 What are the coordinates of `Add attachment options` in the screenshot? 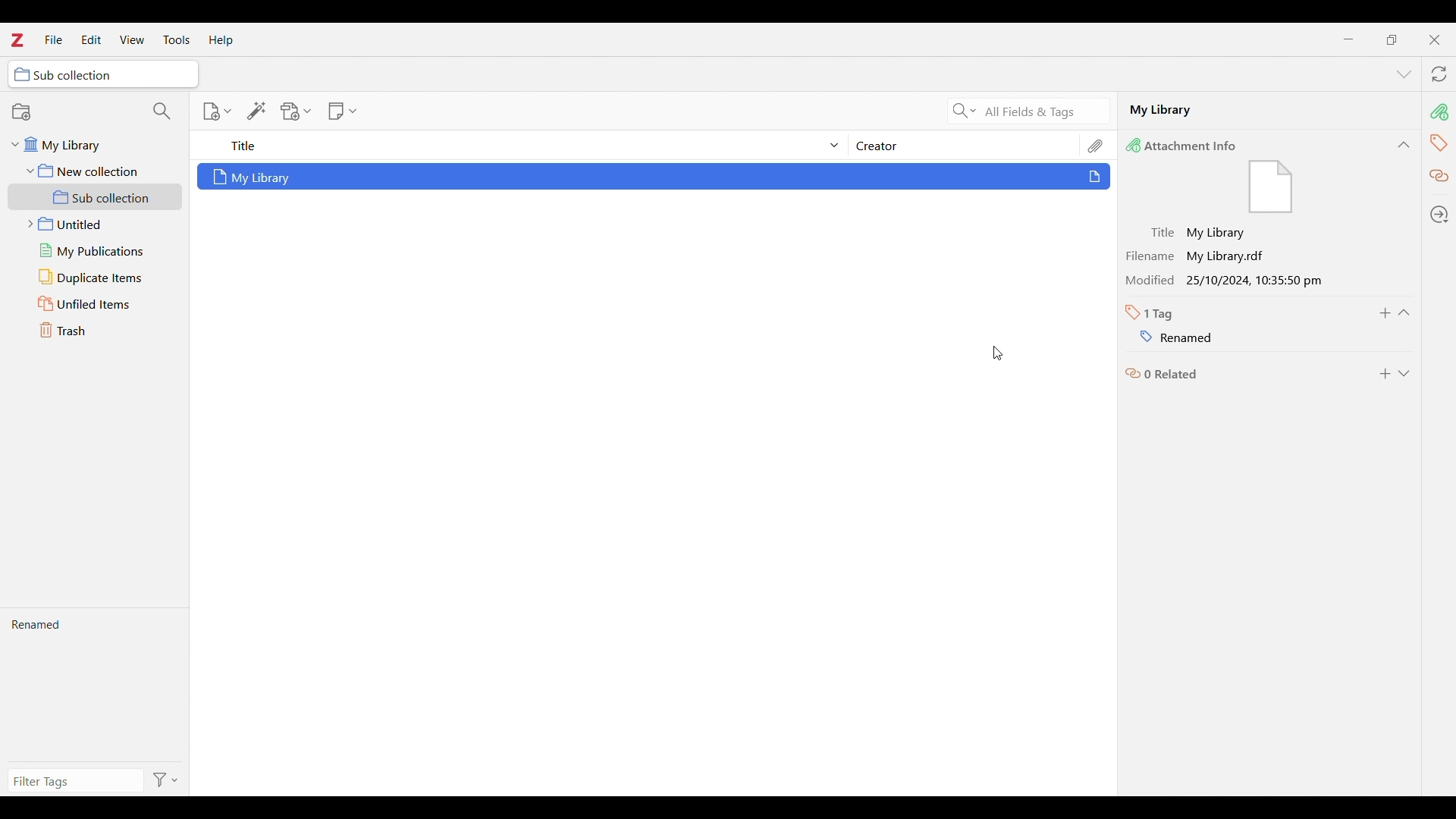 It's located at (297, 111).